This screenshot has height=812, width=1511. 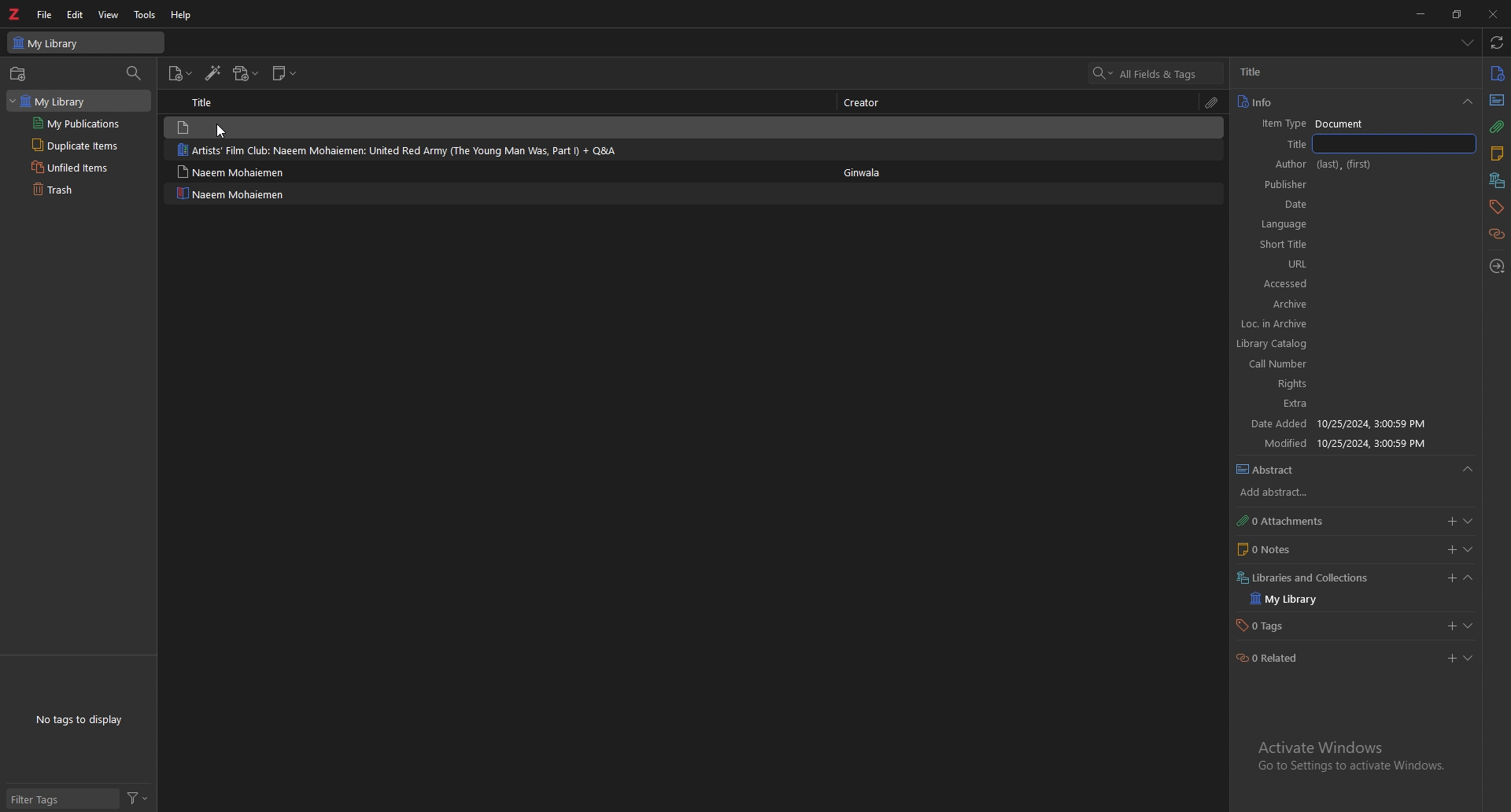 What do you see at coordinates (1467, 42) in the screenshot?
I see `drop down` at bounding box center [1467, 42].